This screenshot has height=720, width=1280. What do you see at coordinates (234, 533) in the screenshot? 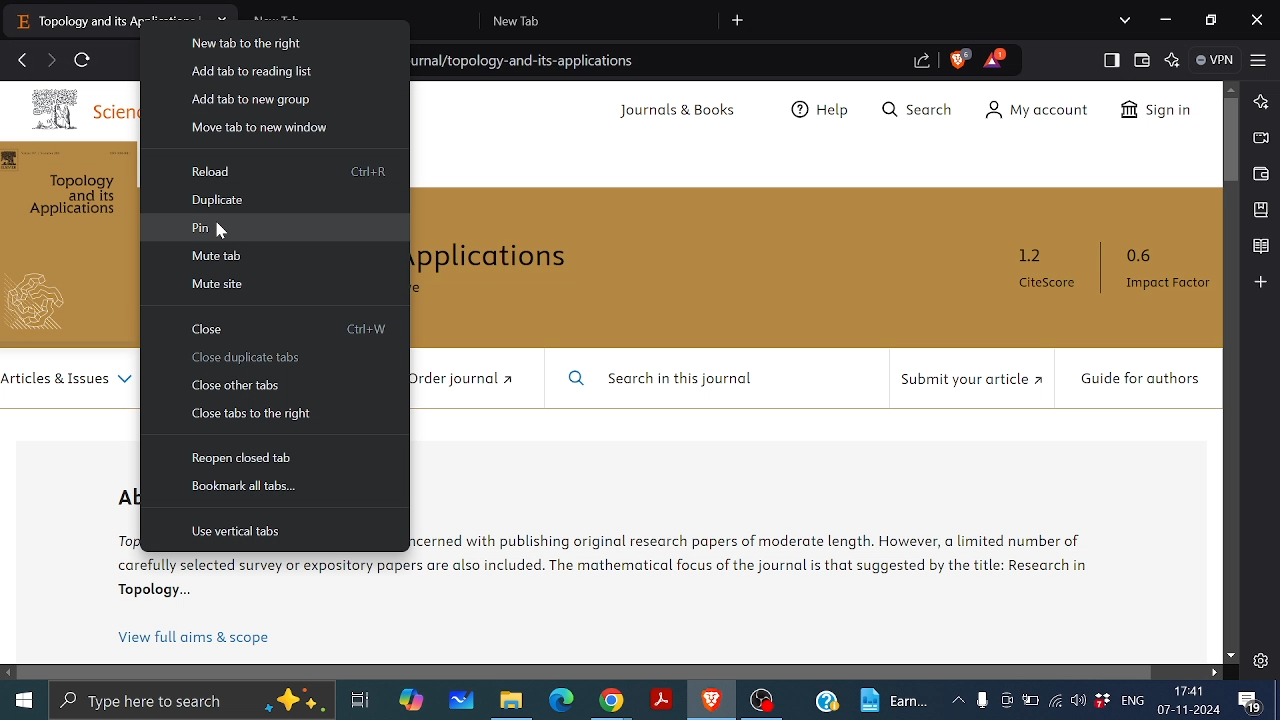
I see `Use vertical lines` at bounding box center [234, 533].